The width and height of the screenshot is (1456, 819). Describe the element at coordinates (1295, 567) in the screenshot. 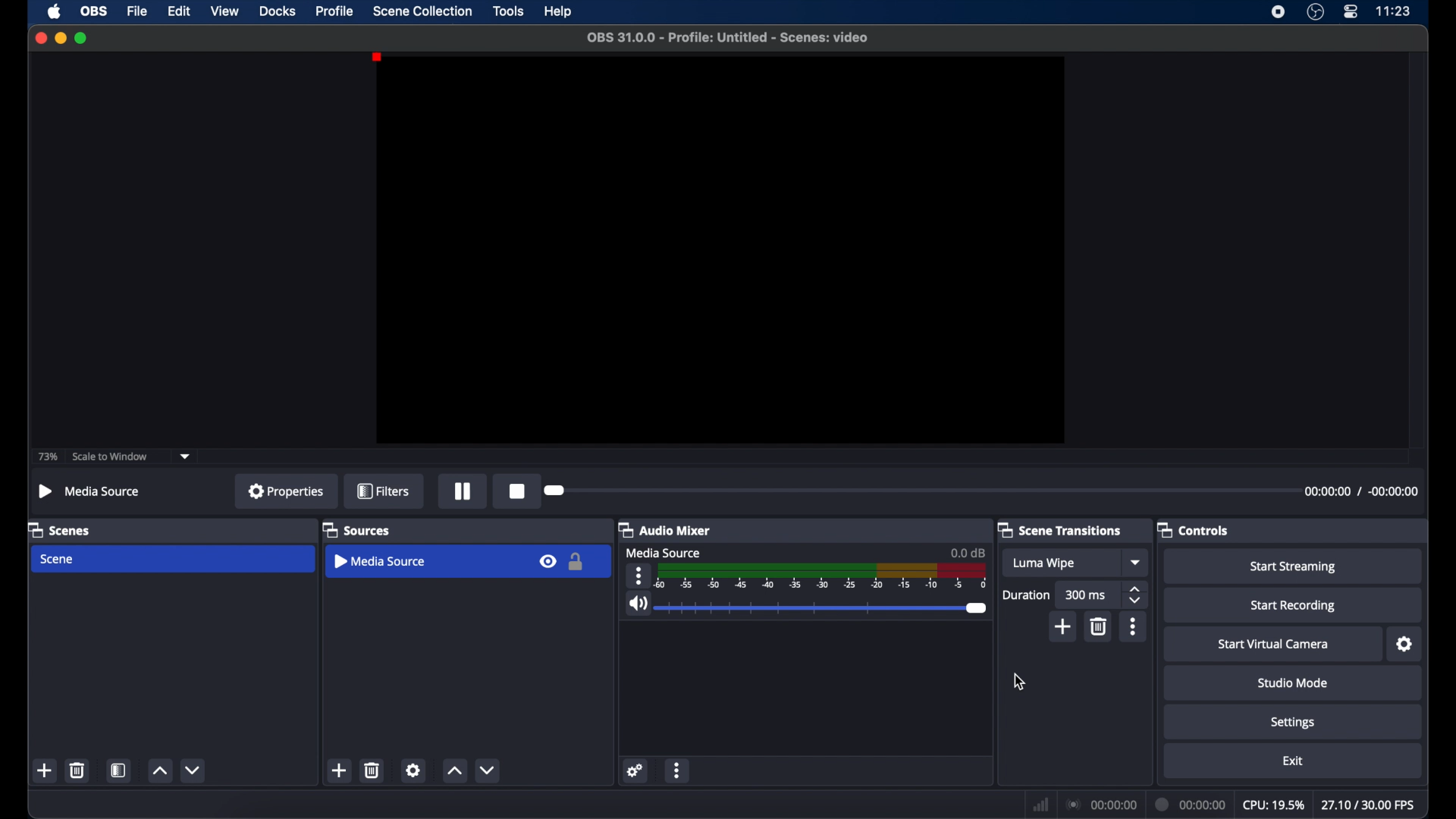

I see `start streaming` at that location.